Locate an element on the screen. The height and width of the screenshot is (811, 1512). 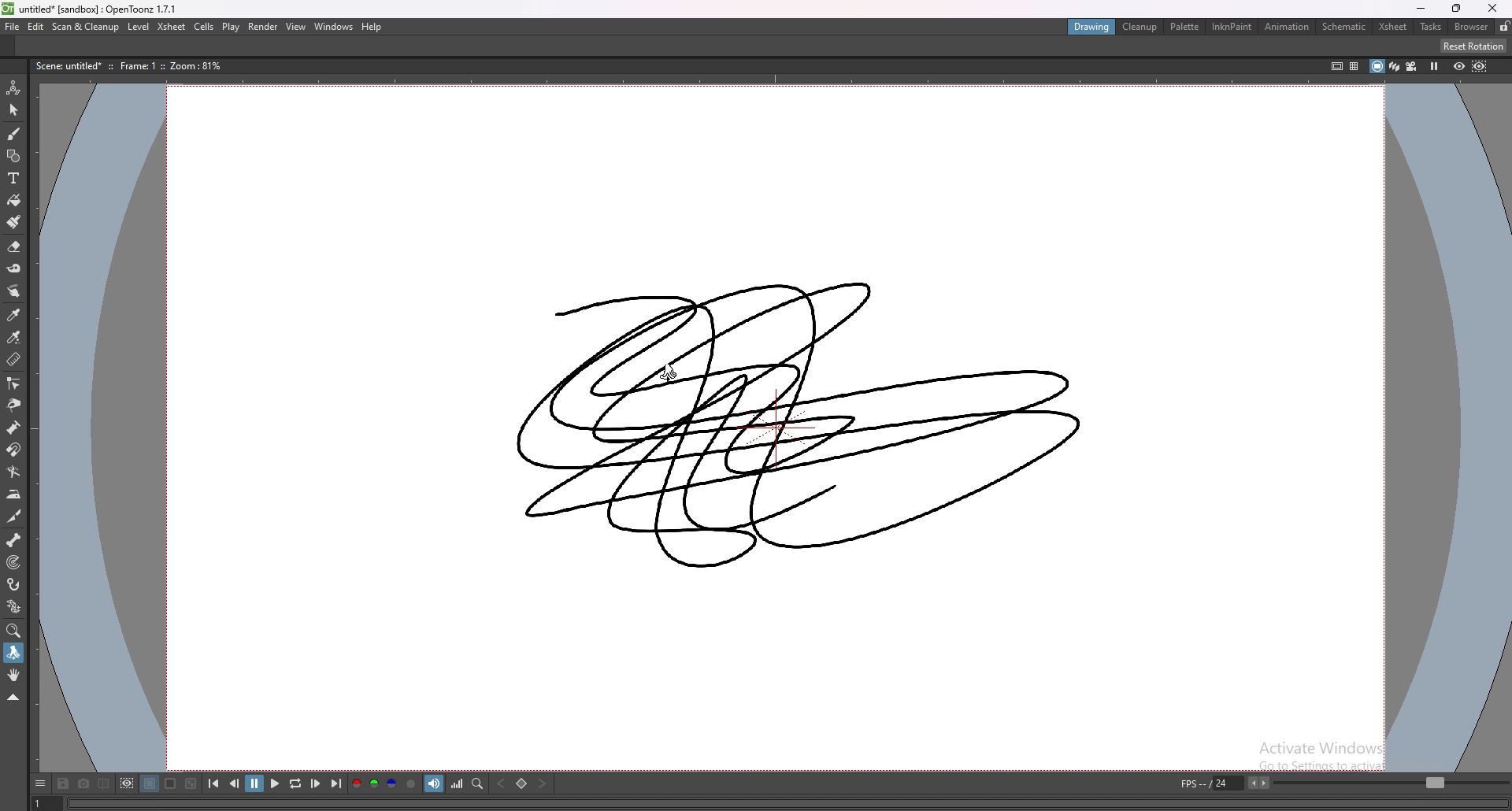
file is located at coordinates (12, 27).